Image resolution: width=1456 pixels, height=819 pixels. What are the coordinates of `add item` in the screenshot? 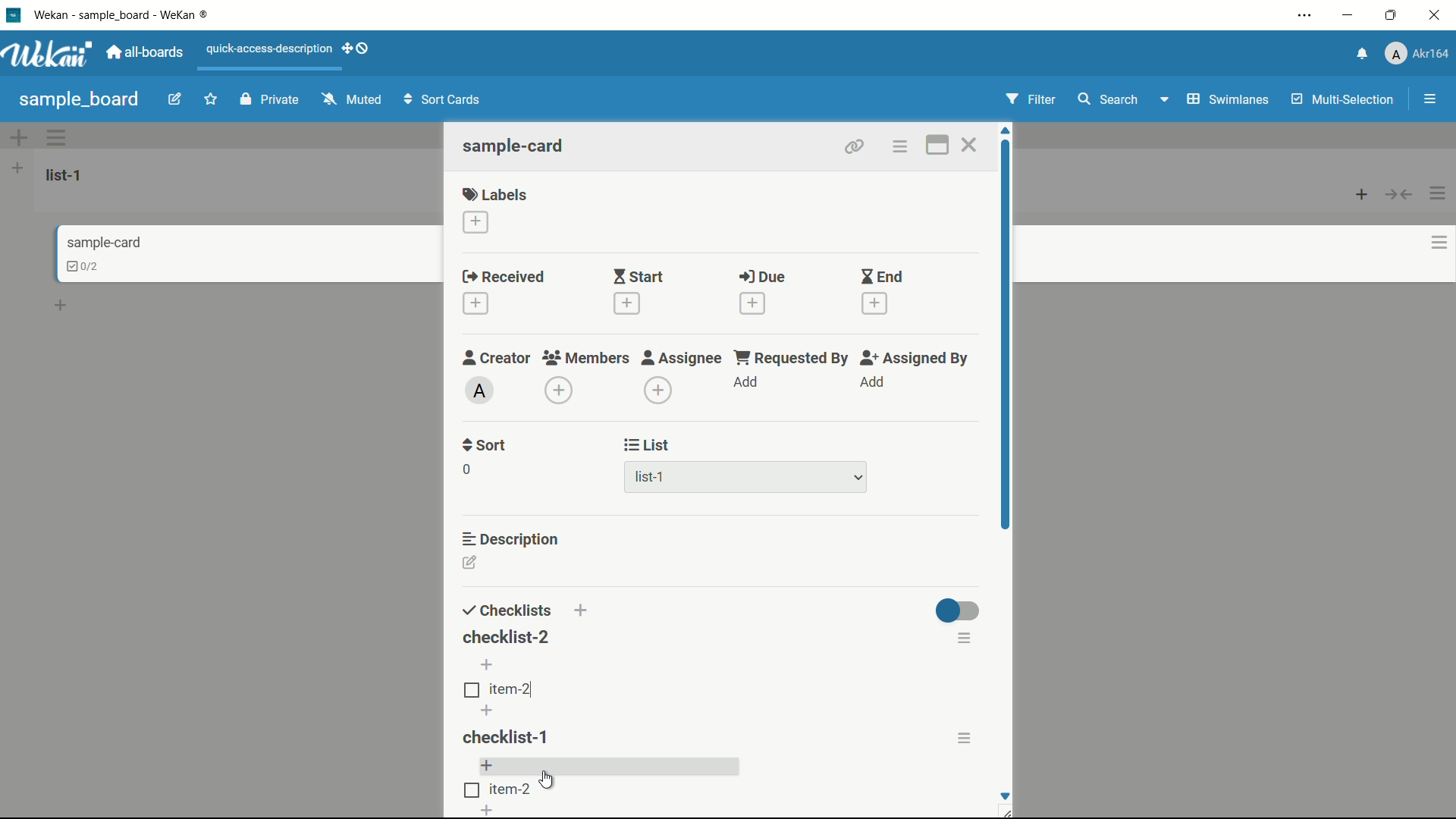 It's located at (488, 711).